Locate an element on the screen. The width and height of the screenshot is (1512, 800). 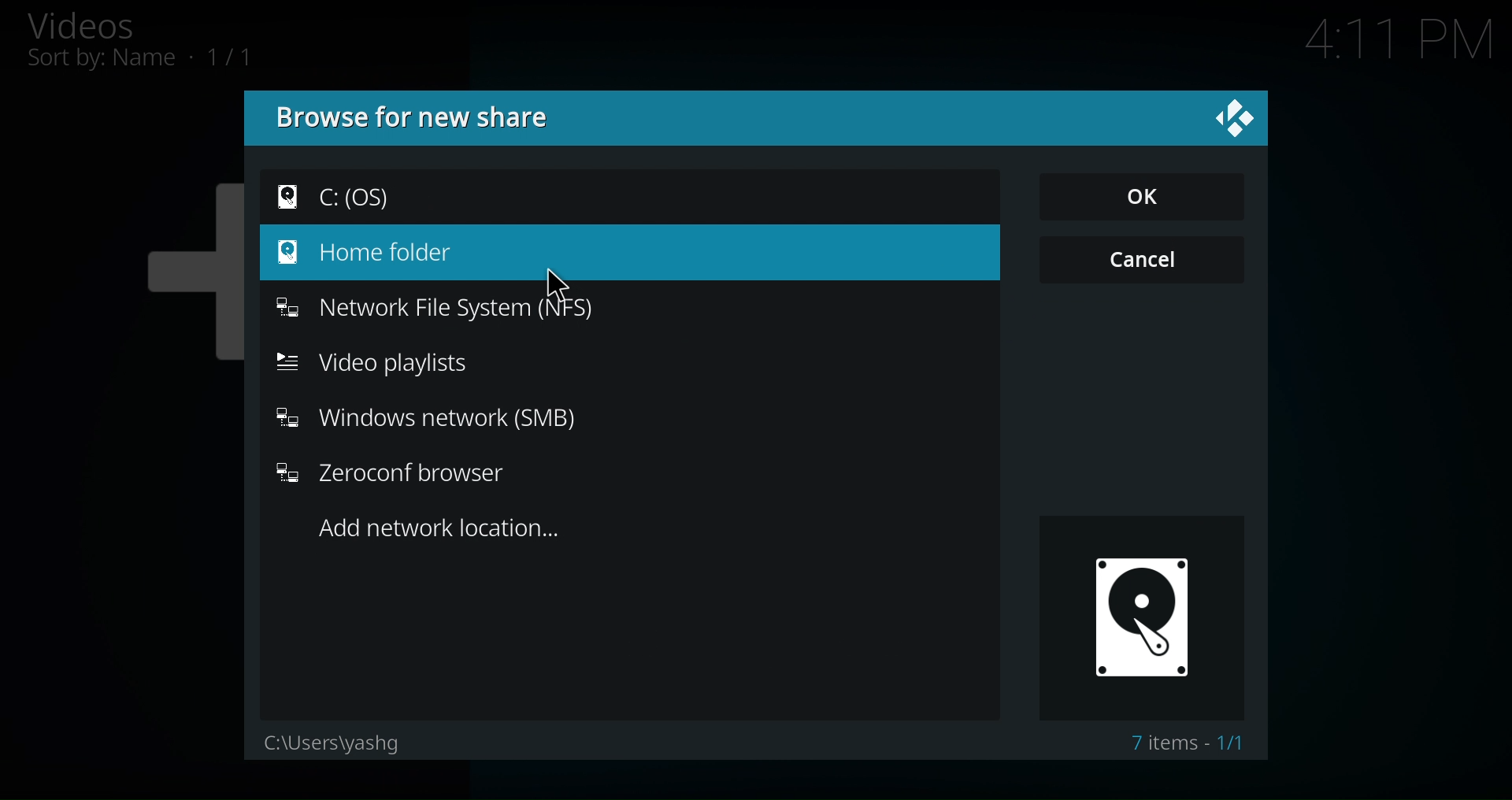
Videos, Sort by: Name • 1/1 is located at coordinates (169, 43).